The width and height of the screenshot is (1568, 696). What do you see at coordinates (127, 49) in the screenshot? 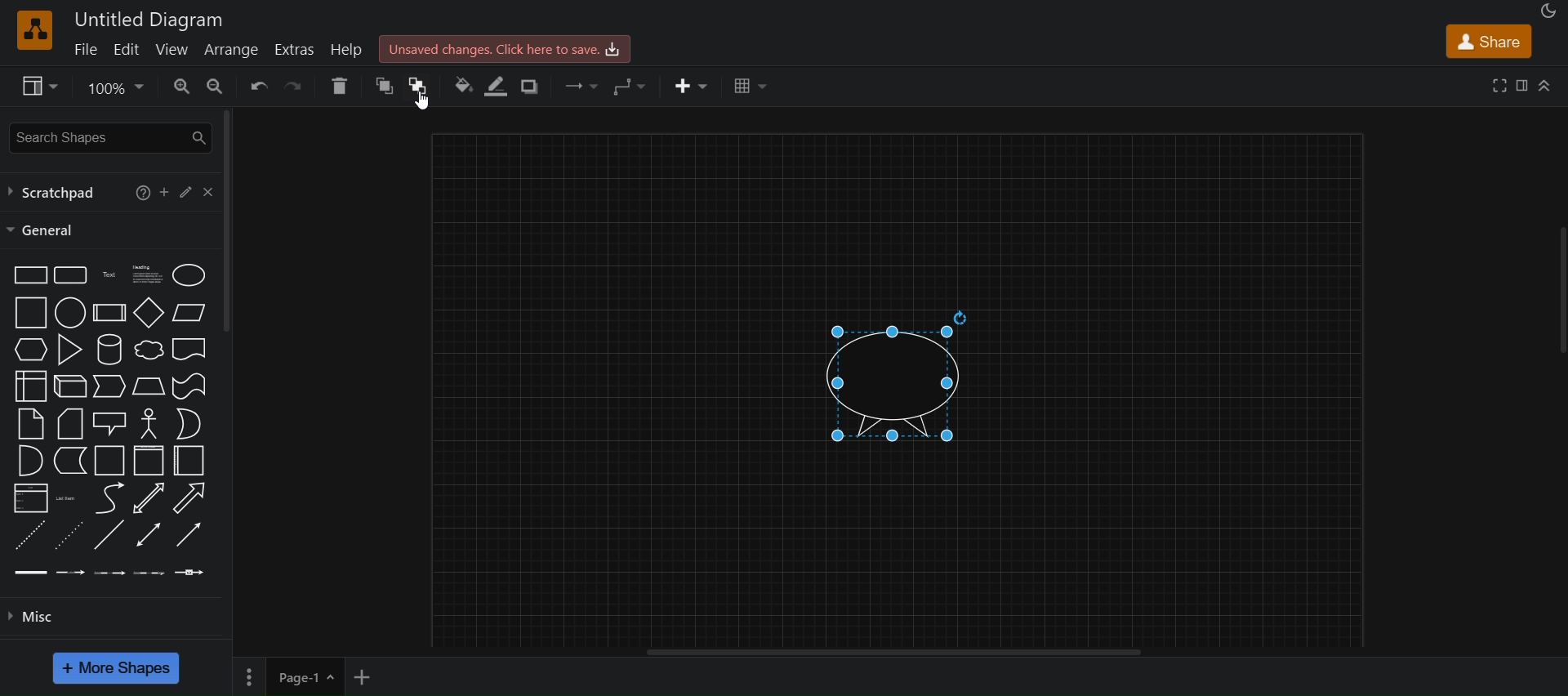
I see `edit` at bounding box center [127, 49].